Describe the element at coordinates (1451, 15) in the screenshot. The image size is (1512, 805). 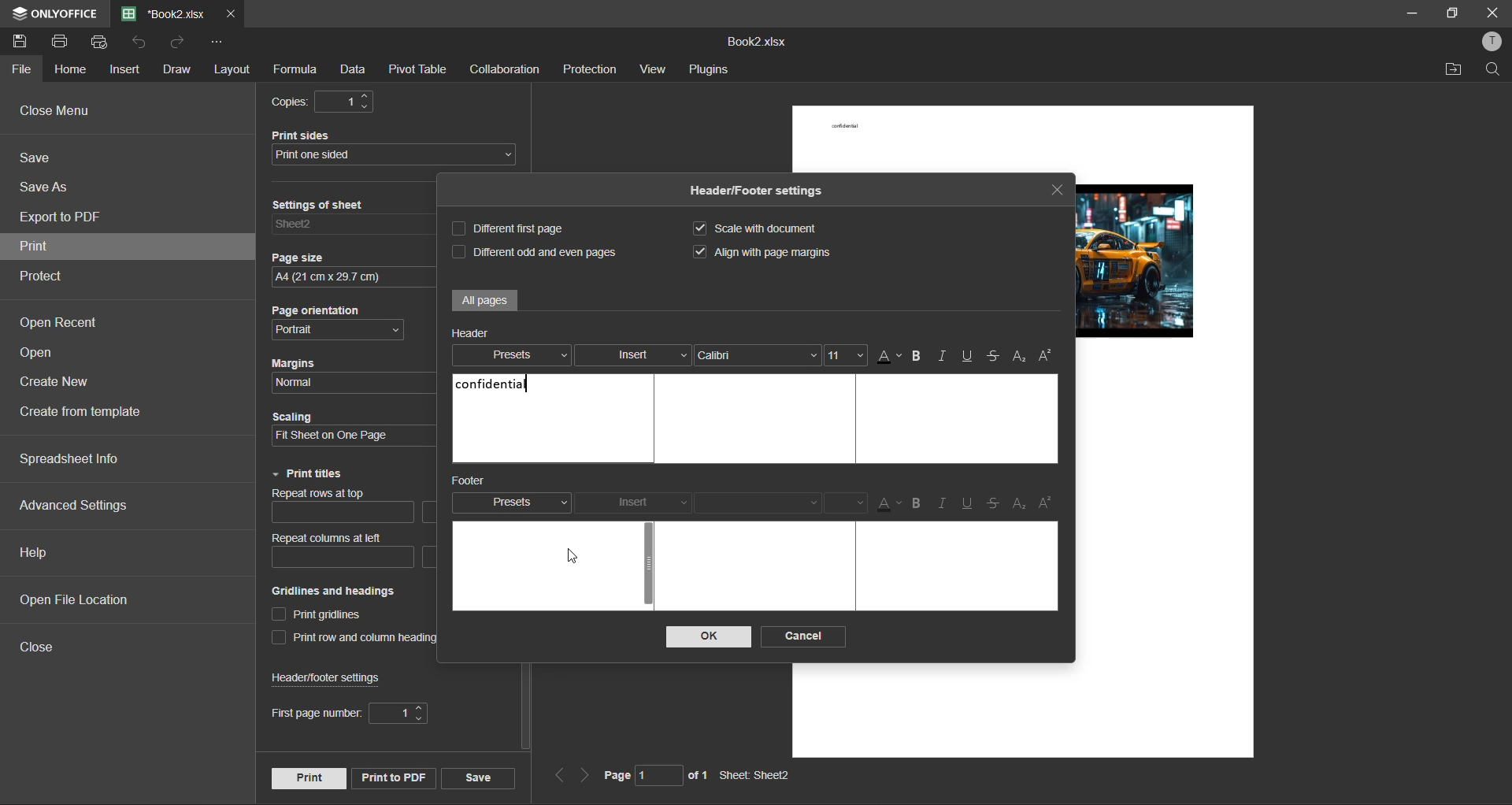
I see `maximize` at that location.